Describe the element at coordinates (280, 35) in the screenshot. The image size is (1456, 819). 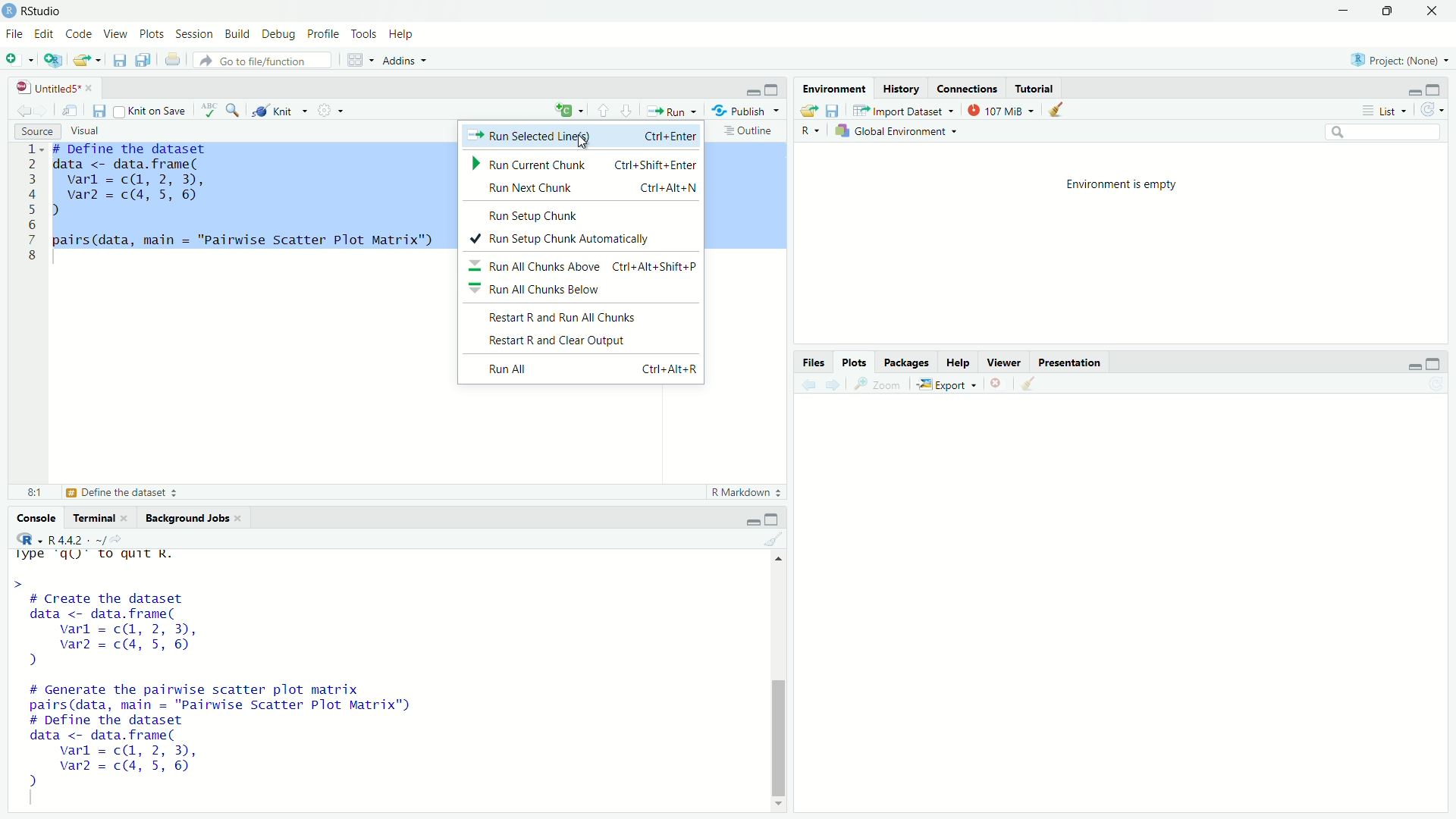
I see `Debug` at that location.